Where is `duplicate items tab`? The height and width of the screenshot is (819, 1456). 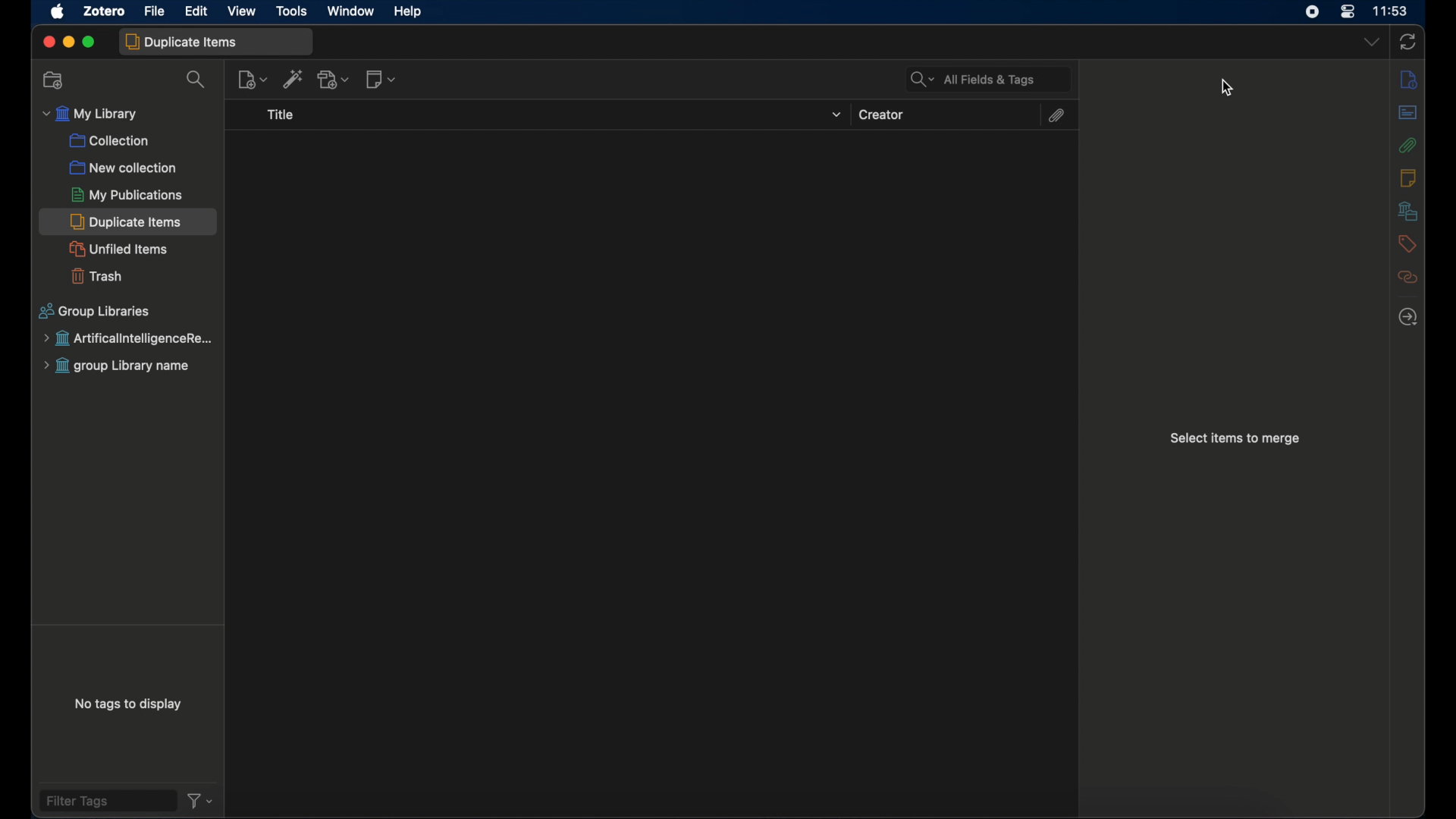 duplicate items tab is located at coordinates (215, 42).